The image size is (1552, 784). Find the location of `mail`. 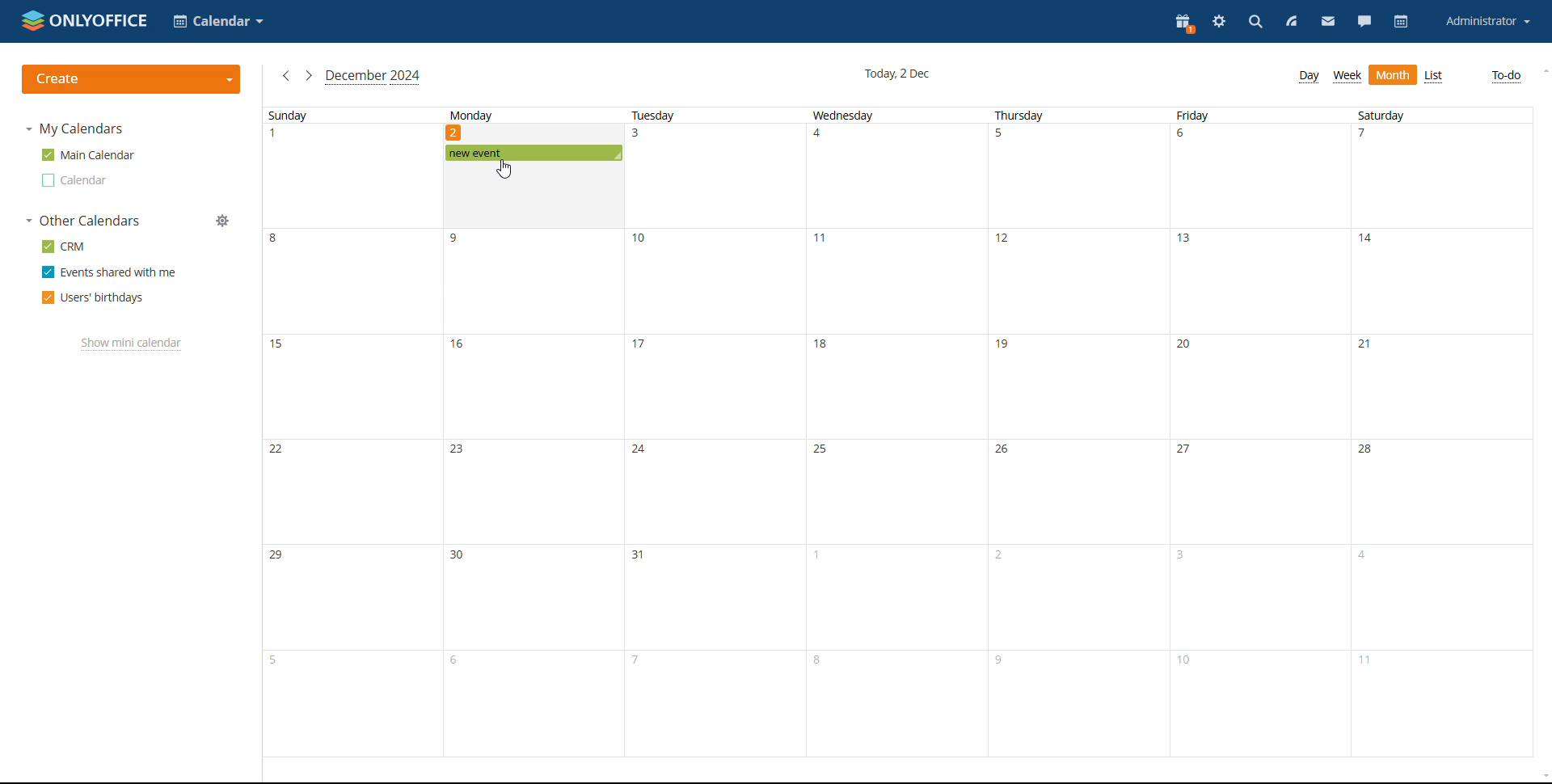

mail is located at coordinates (1328, 22).